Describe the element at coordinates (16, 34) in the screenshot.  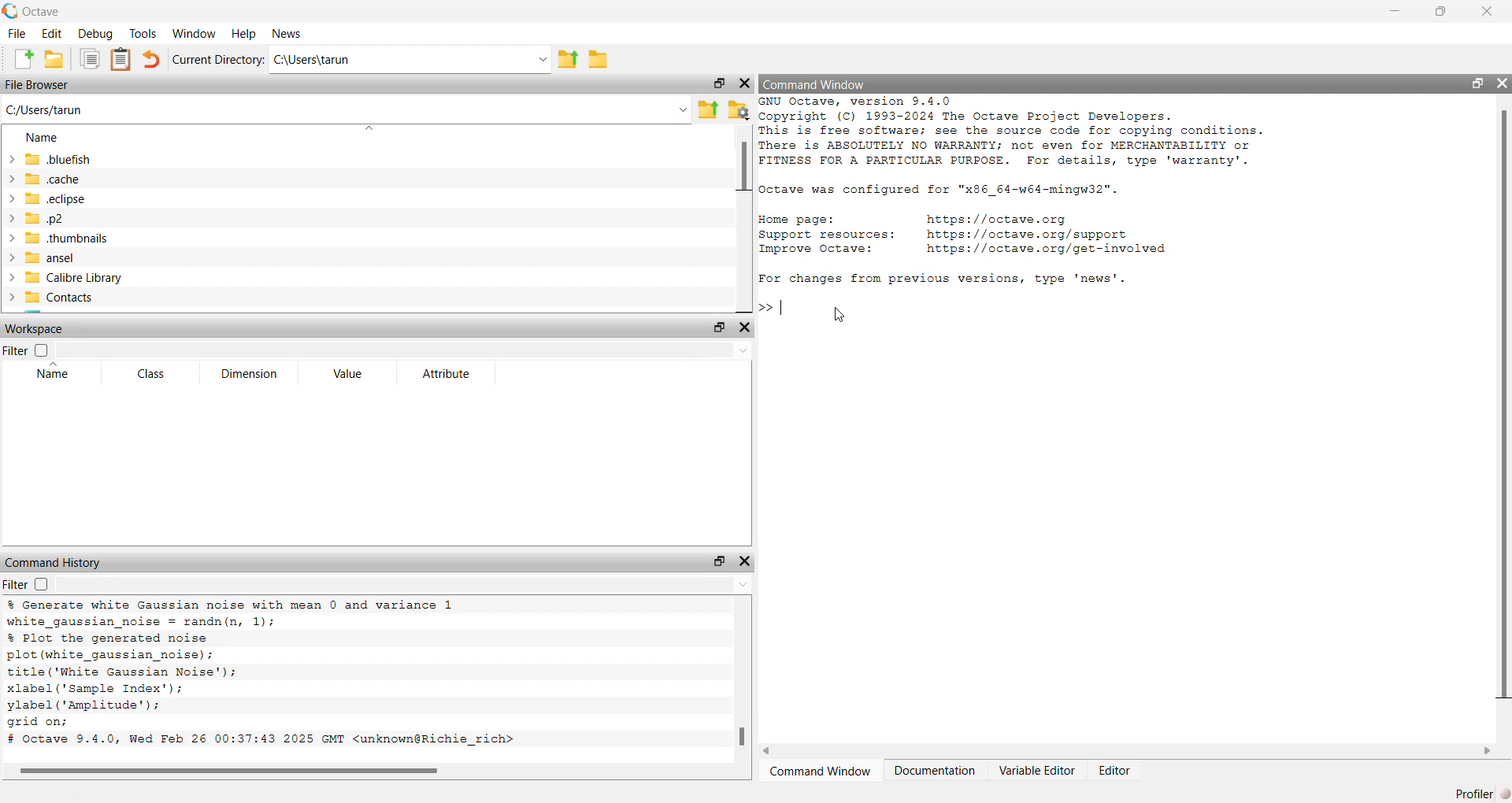
I see `File` at that location.